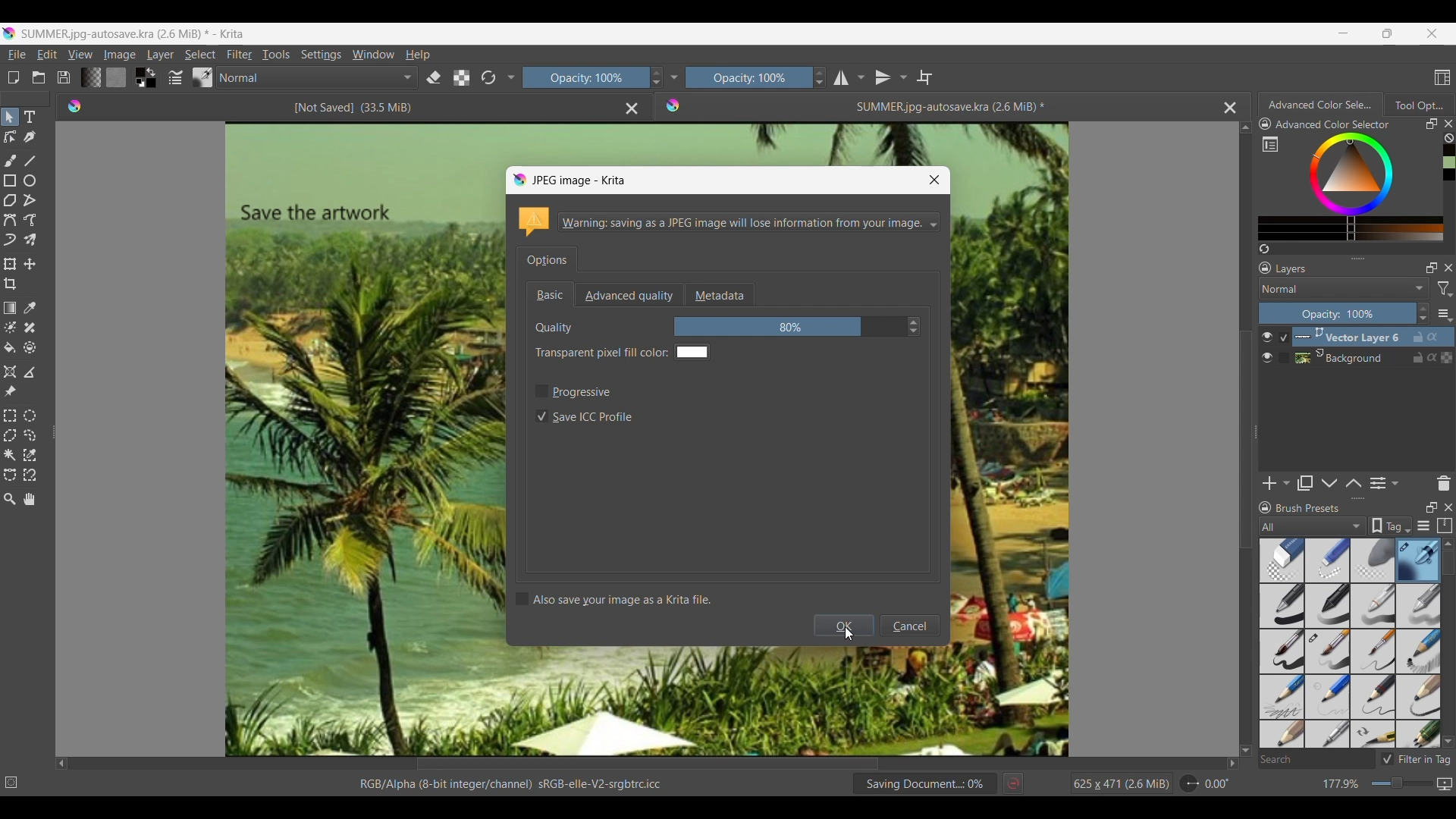  I want to click on Background layer, so click(1373, 357).